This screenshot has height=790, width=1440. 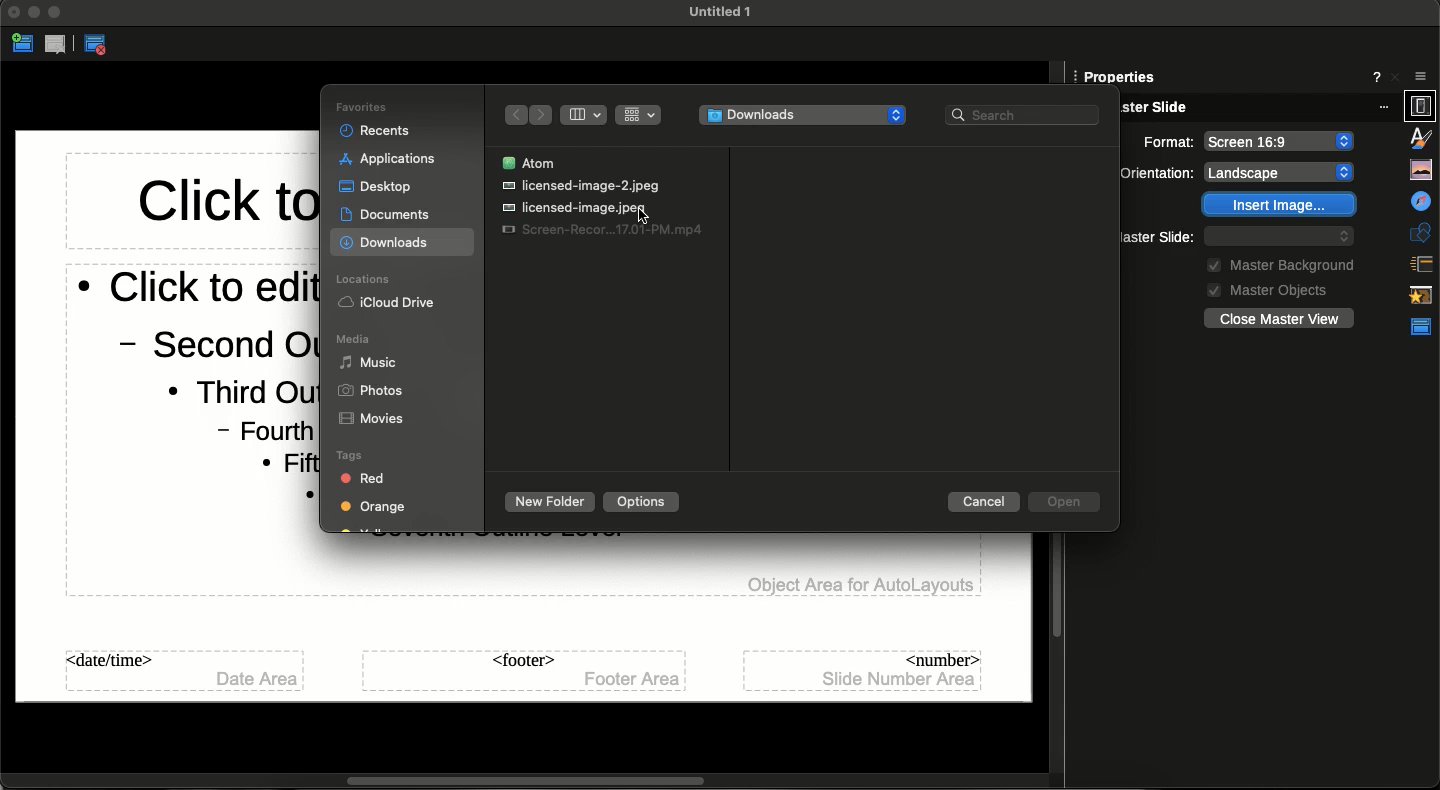 What do you see at coordinates (602, 230) in the screenshot?
I see `File` at bounding box center [602, 230].